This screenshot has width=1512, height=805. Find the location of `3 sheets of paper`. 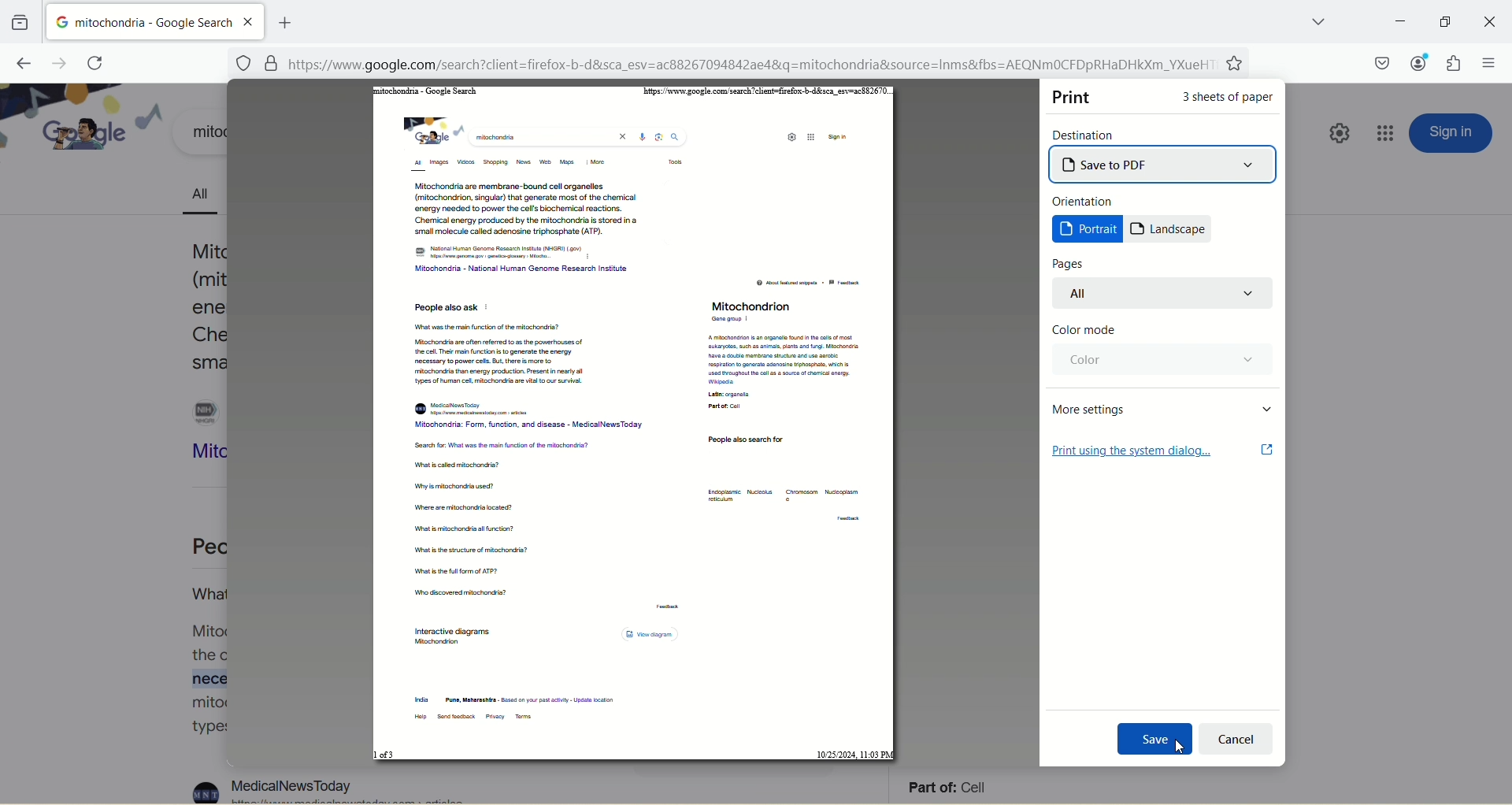

3 sheets of paper is located at coordinates (1229, 101).